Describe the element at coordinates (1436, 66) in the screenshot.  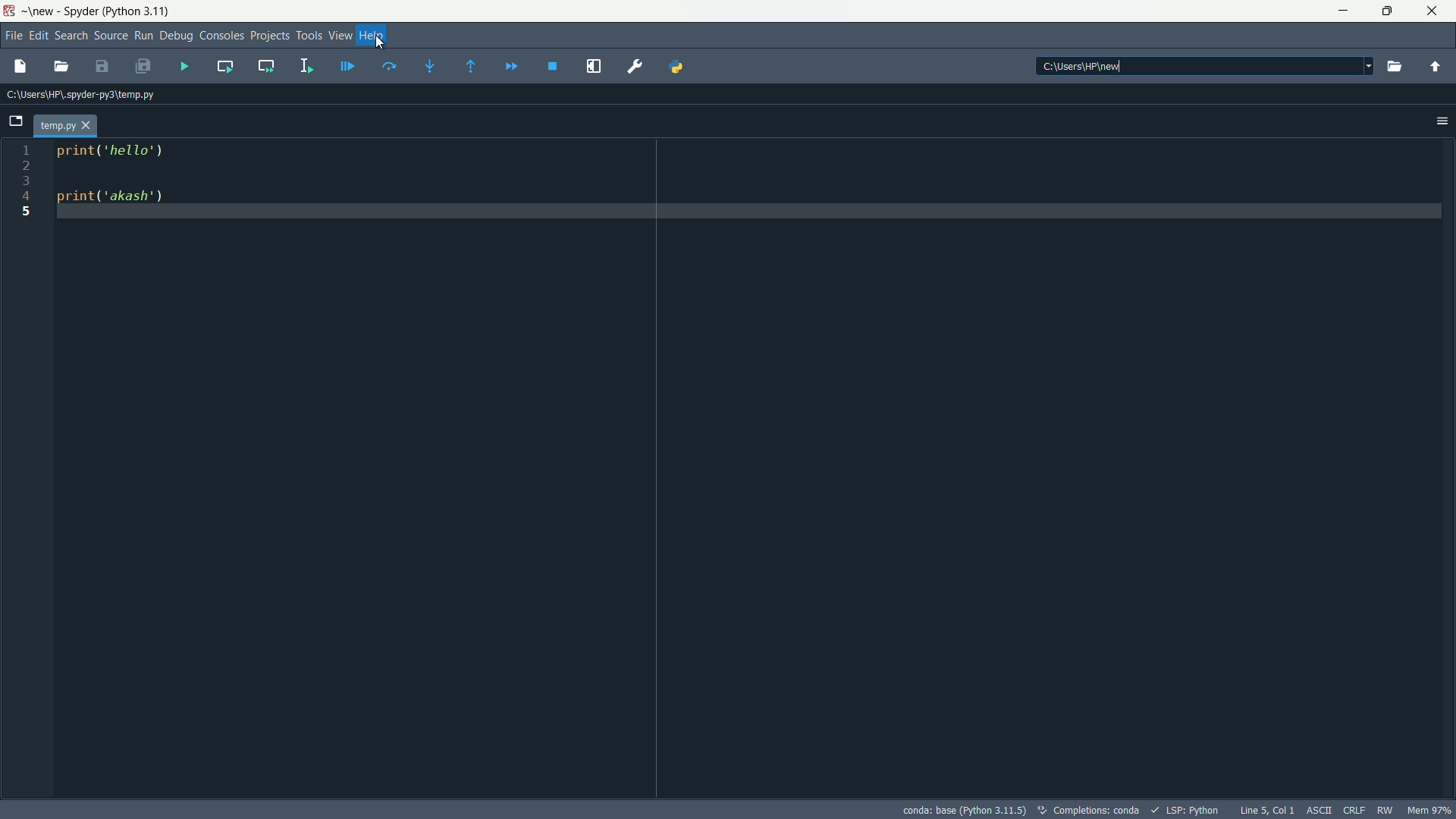
I see `change to parent directory` at that location.